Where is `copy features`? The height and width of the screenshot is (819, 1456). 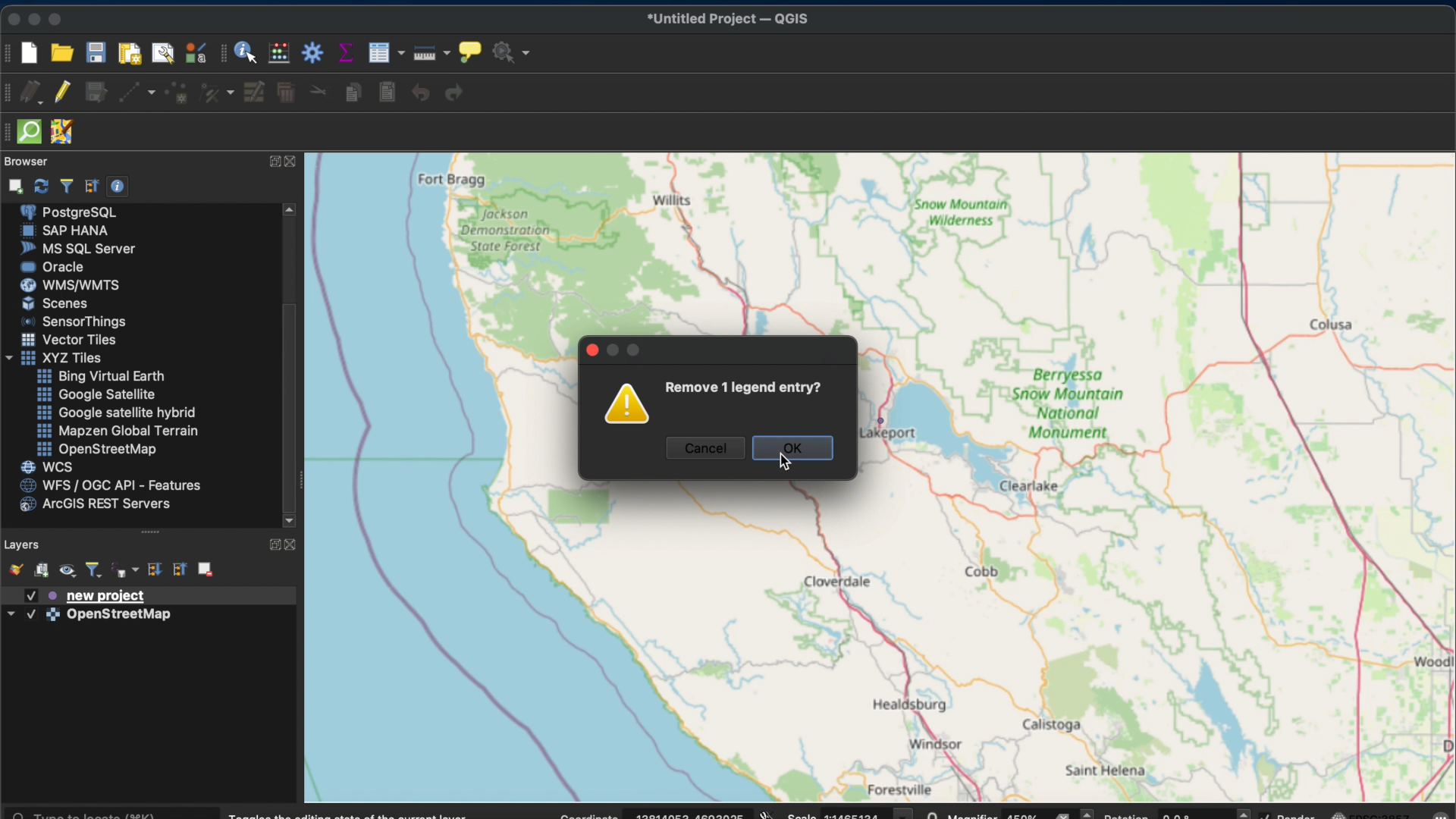 copy features is located at coordinates (356, 93).